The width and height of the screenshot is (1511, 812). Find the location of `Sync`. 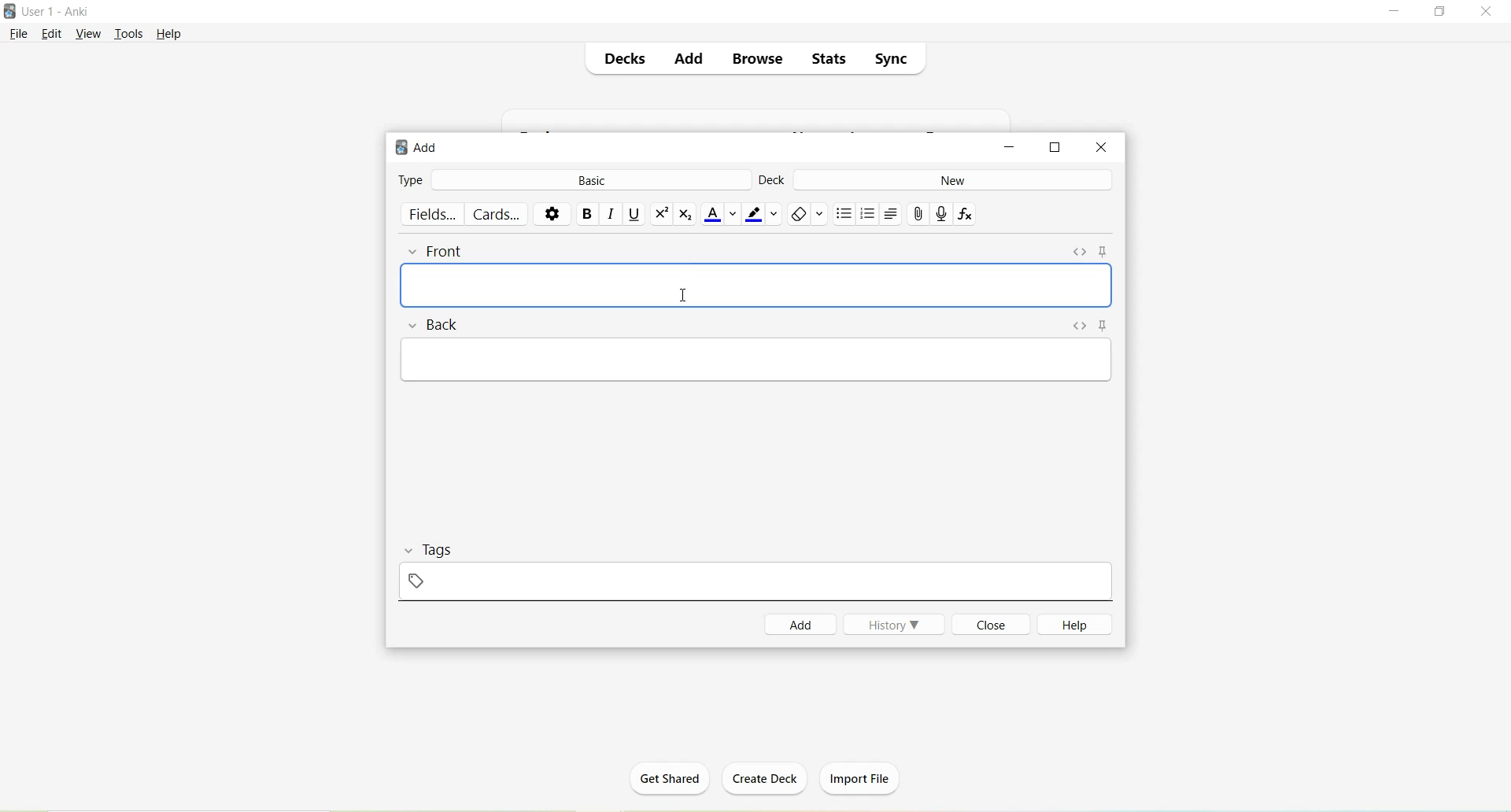

Sync is located at coordinates (890, 56).